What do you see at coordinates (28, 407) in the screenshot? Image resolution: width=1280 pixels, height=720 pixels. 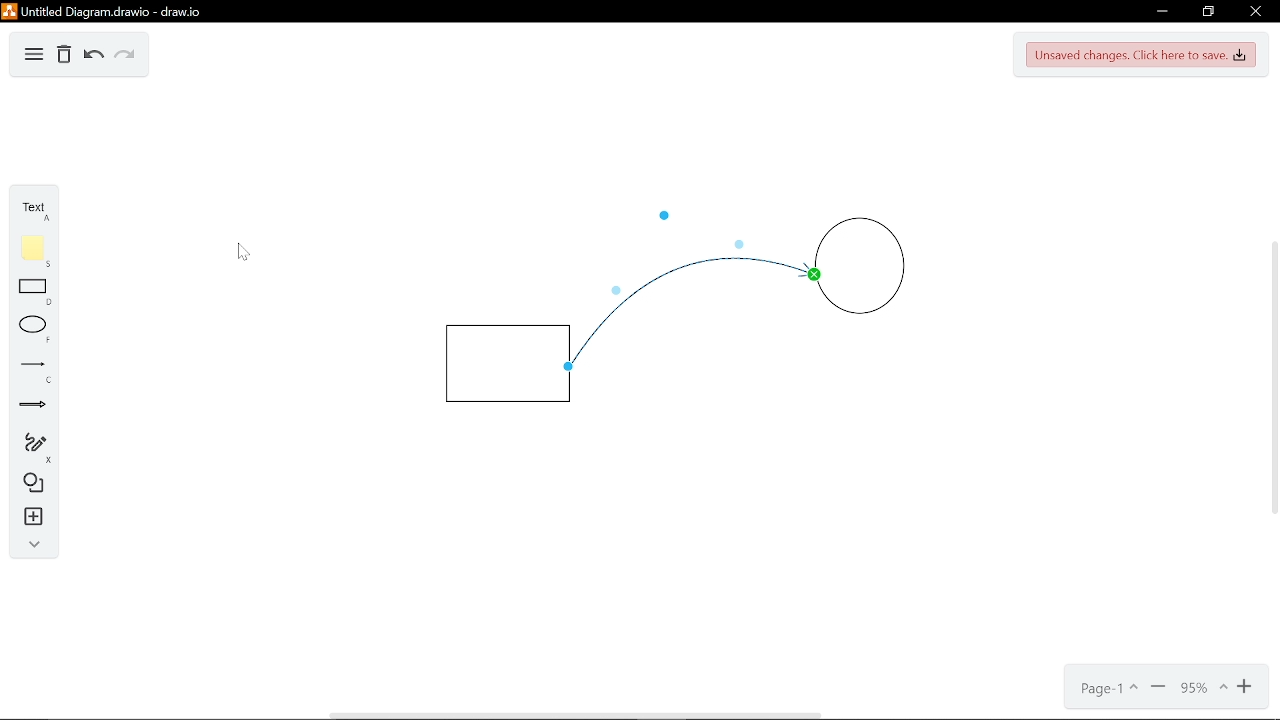 I see `Arrow` at bounding box center [28, 407].